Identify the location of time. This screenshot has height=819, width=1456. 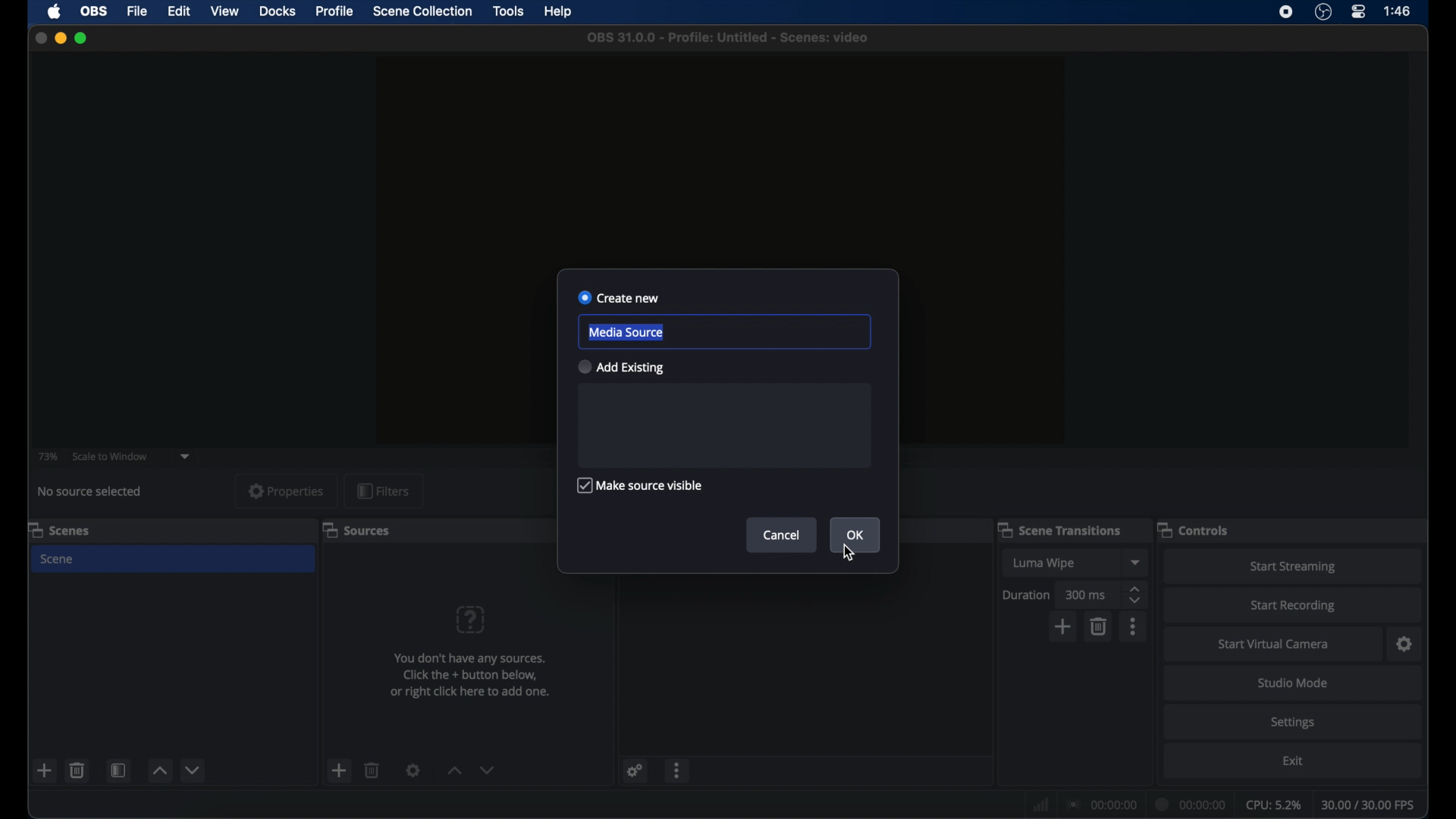
(1398, 10).